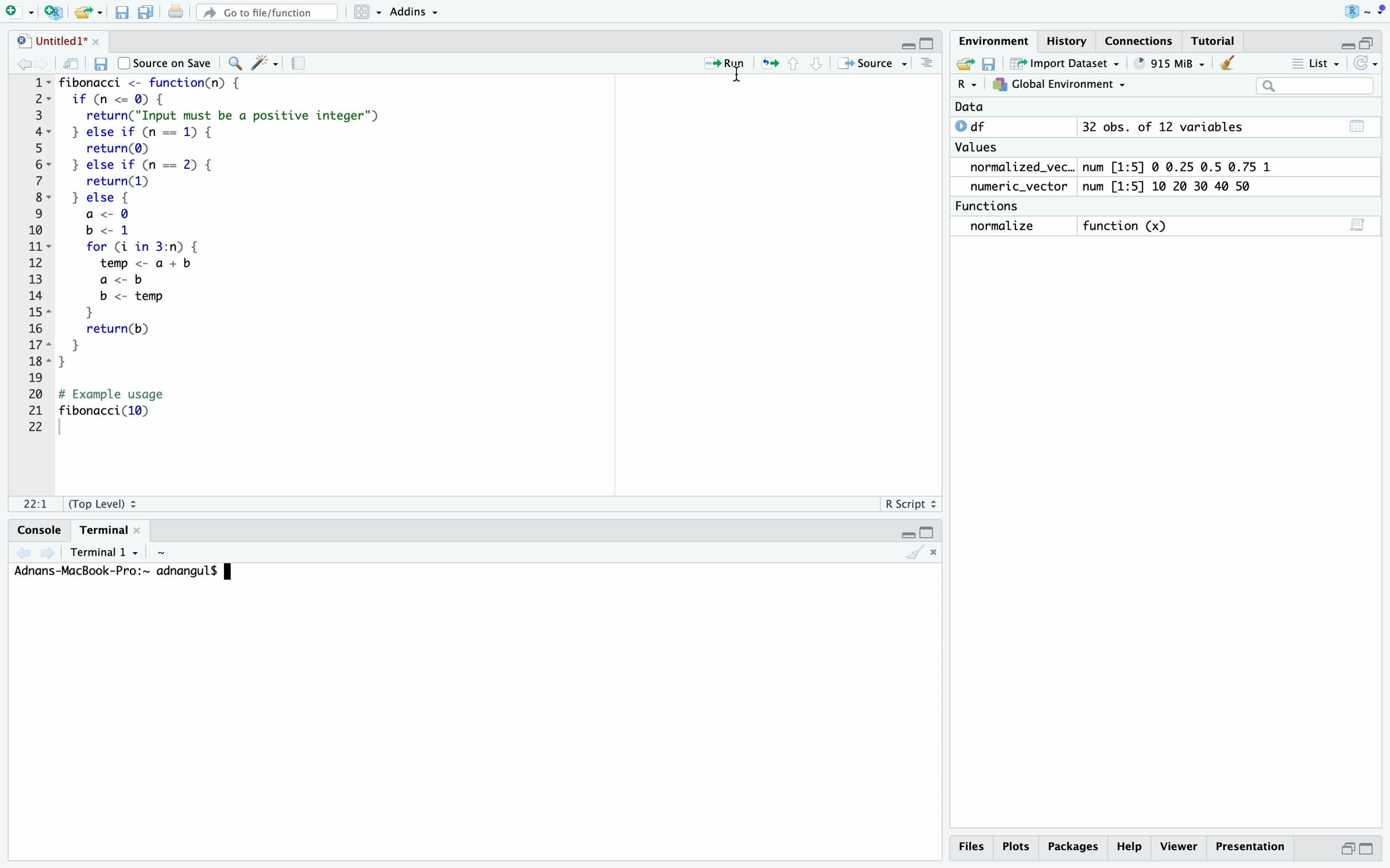 The image size is (1390, 868). Describe the element at coordinates (929, 530) in the screenshot. I see `maximize` at that location.